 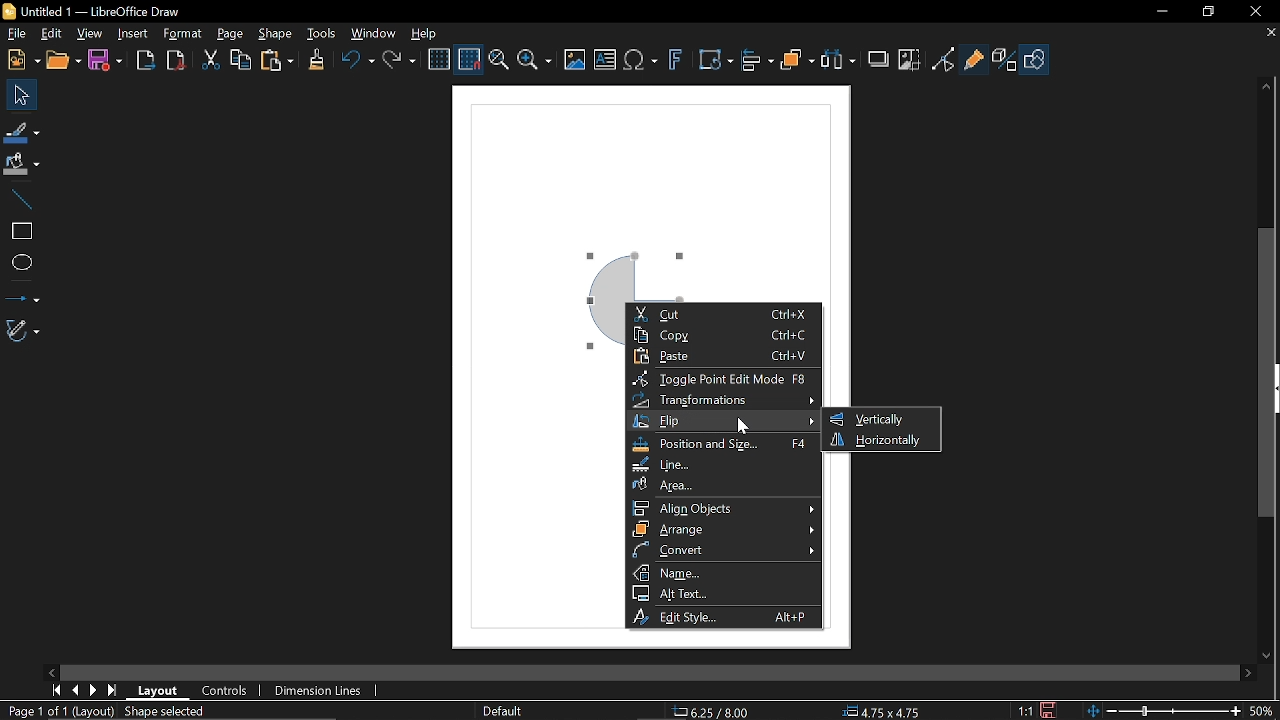 What do you see at coordinates (881, 60) in the screenshot?
I see `Shadow` at bounding box center [881, 60].